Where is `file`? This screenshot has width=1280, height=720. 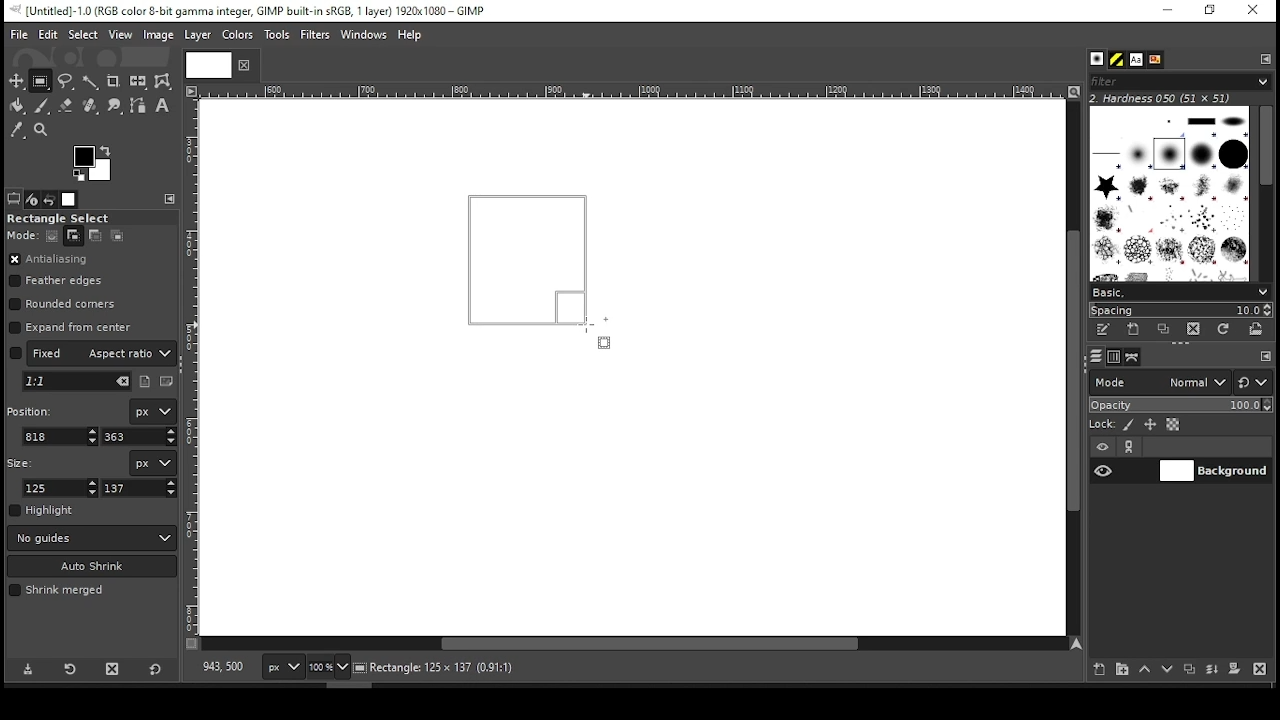 file is located at coordinates (19, 35).